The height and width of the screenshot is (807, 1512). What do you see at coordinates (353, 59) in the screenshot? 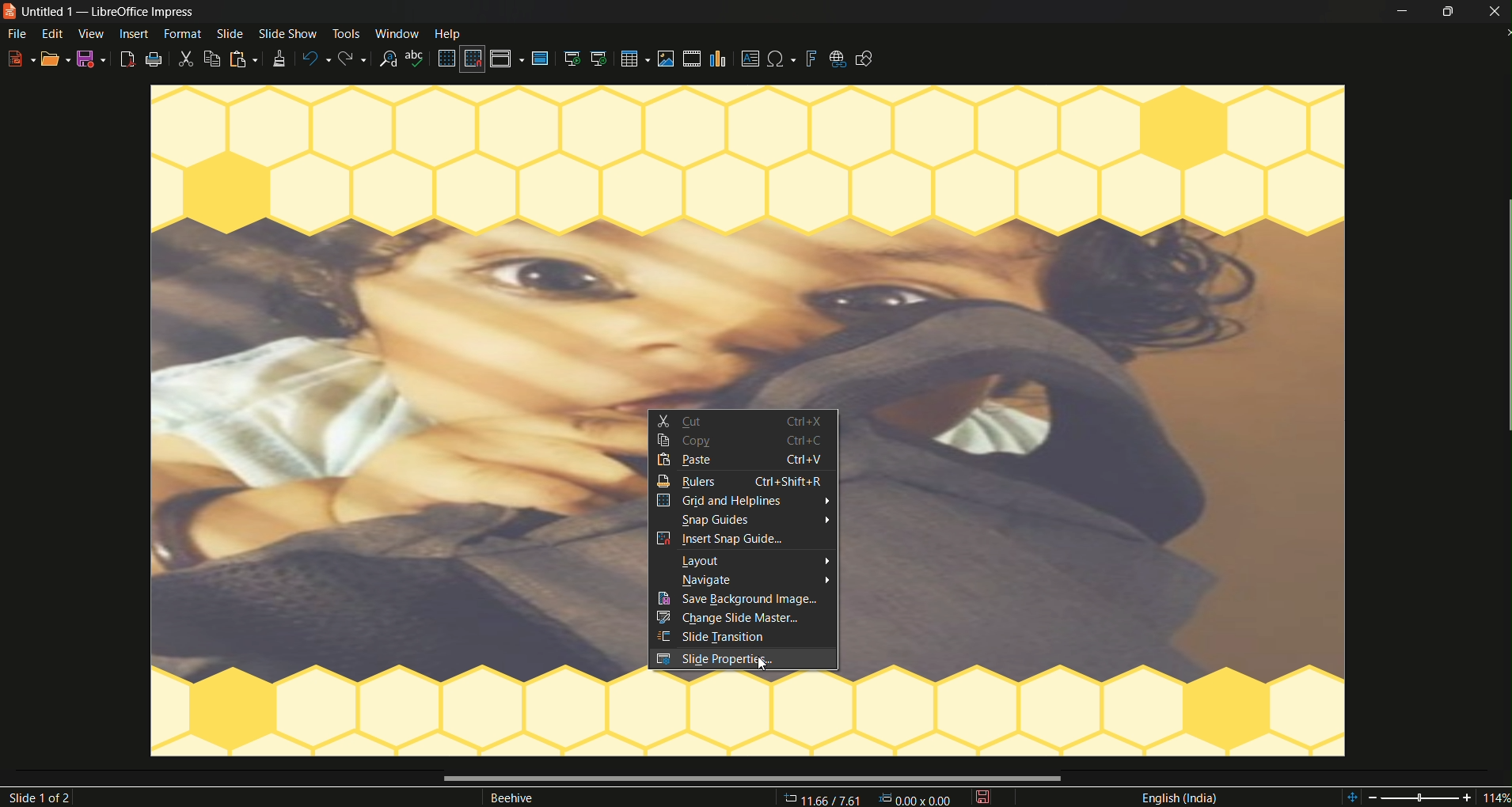
I see `redo` at bounding box center [353, 59].